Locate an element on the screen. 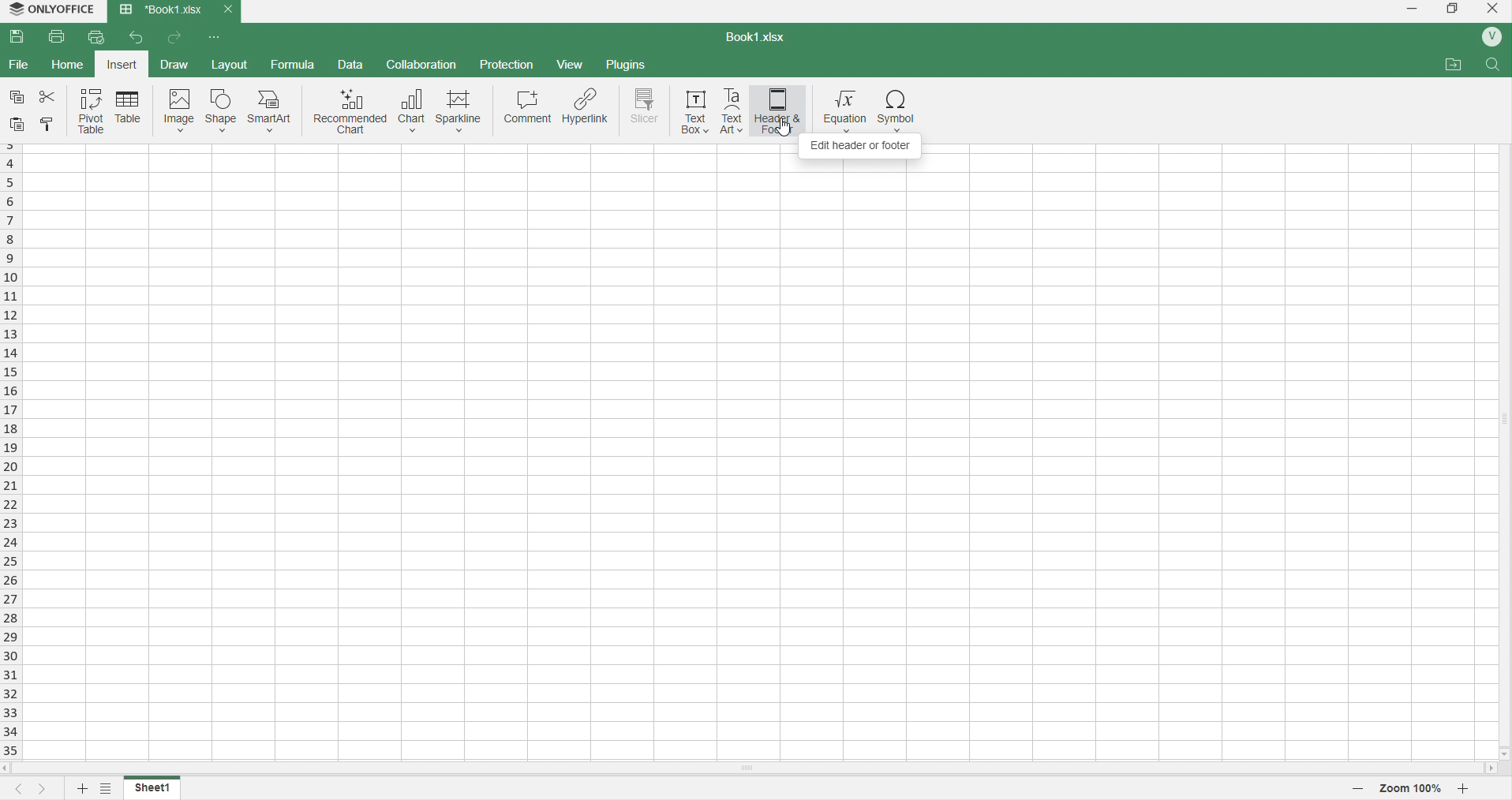  comment is located at coordinates (526, 112).